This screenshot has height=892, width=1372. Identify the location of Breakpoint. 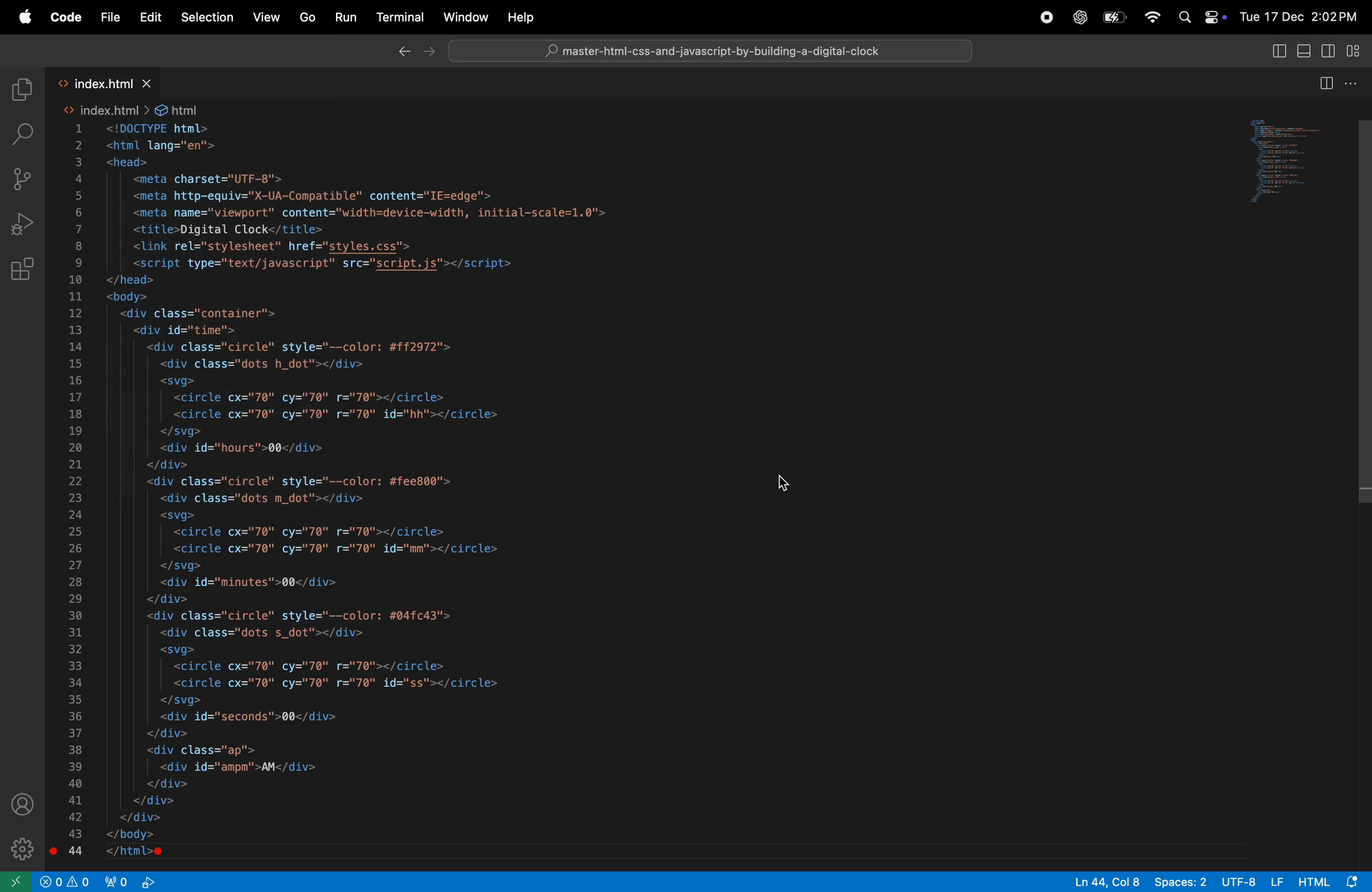
(52, 848).